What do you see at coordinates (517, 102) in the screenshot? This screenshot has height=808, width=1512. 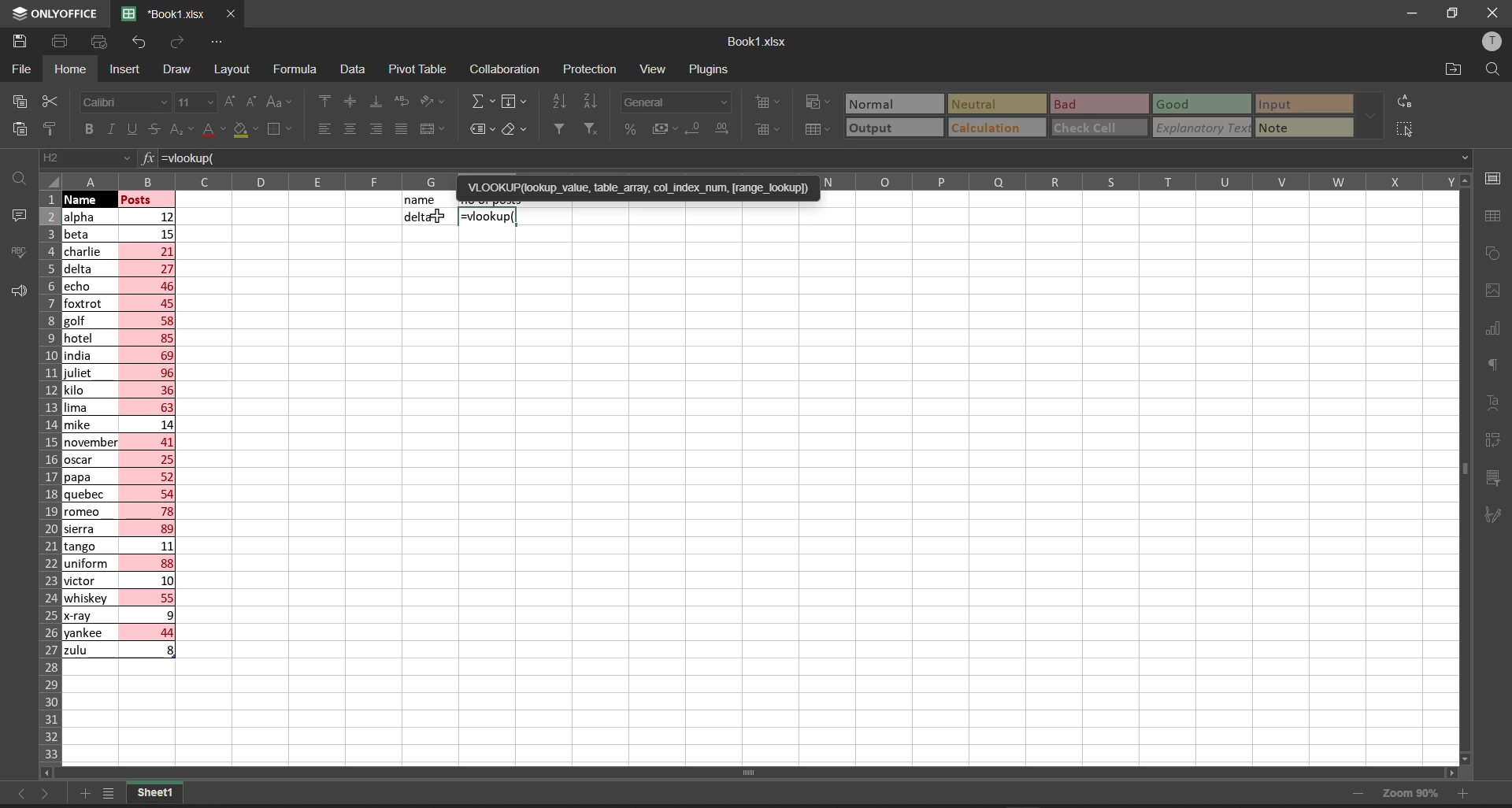 I see `fill` at bounding box center [517, 102].